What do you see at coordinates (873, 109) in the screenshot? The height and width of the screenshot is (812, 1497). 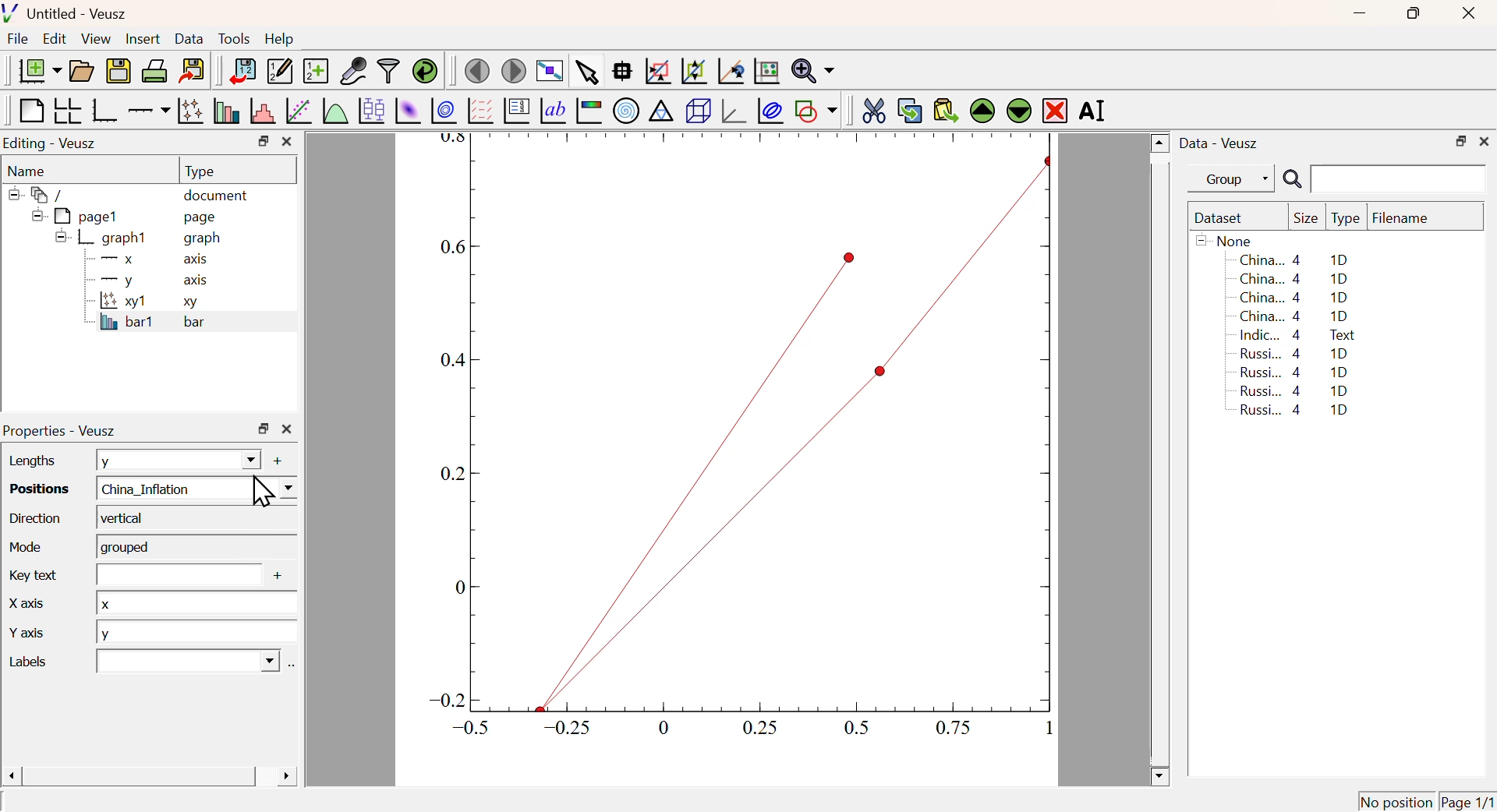 I see `Cut` at bounding box center [873, 109].